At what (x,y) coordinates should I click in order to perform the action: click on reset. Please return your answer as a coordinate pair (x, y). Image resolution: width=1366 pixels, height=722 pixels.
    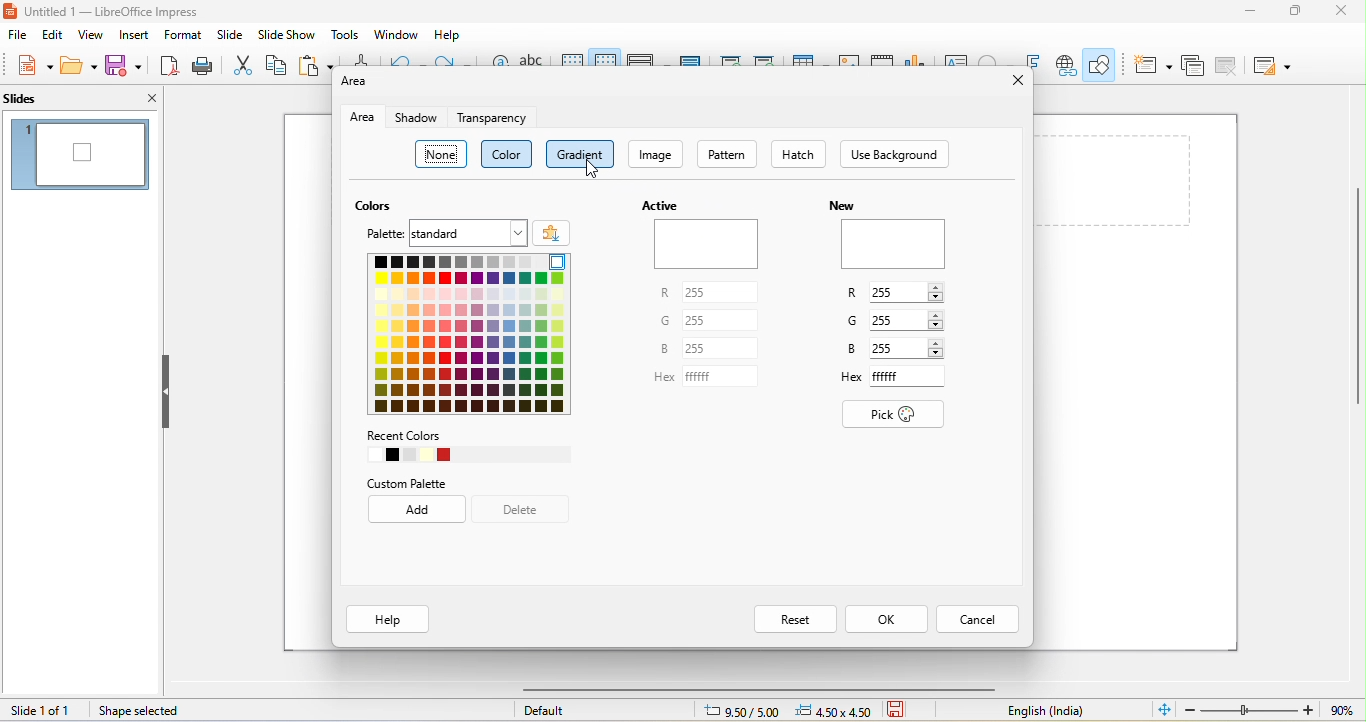
    Looking at the image, I should click on (795, 619).